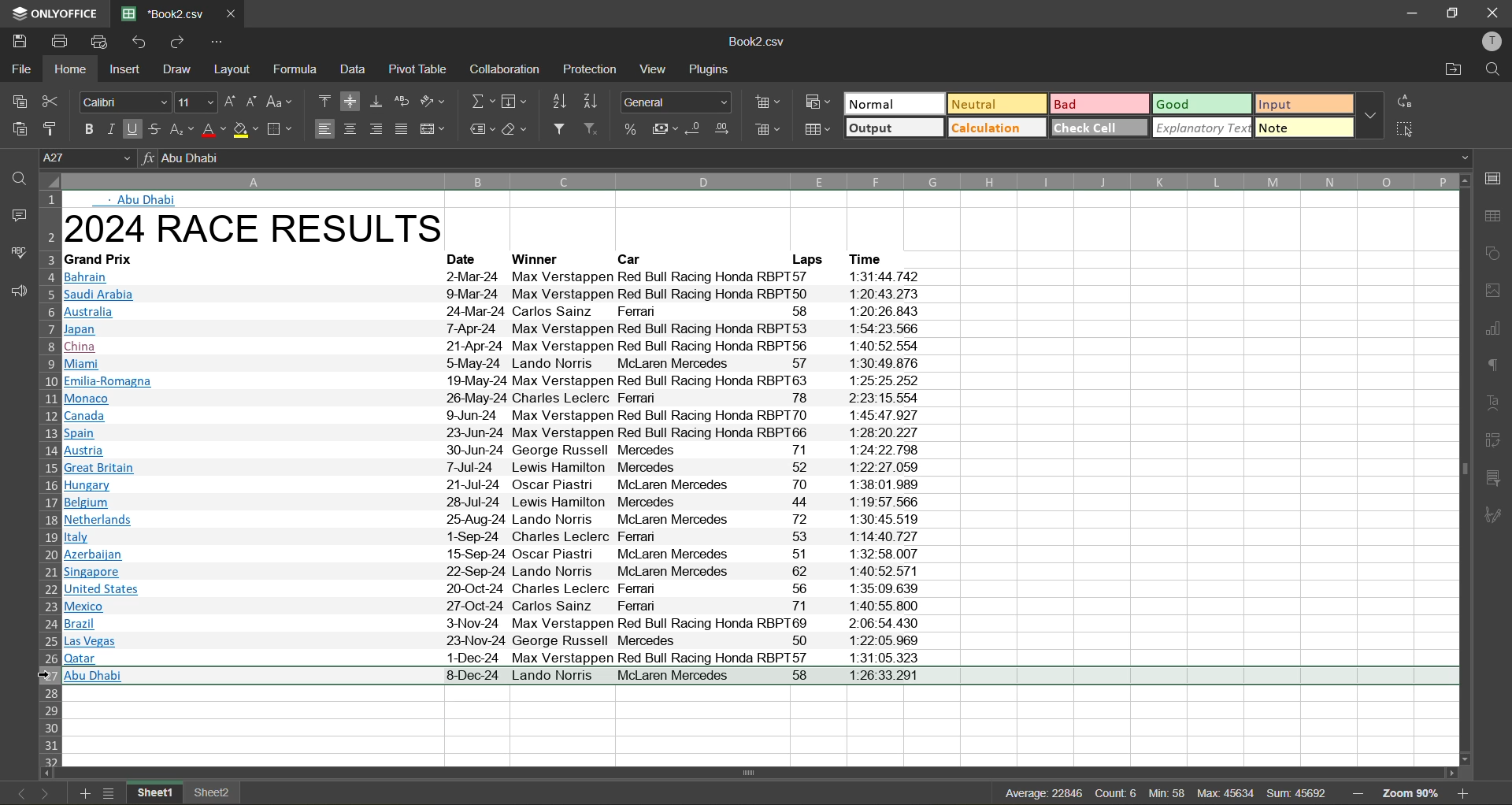 The image size is (1512, 805). I want to click on paragraph, so click(1495, 369).